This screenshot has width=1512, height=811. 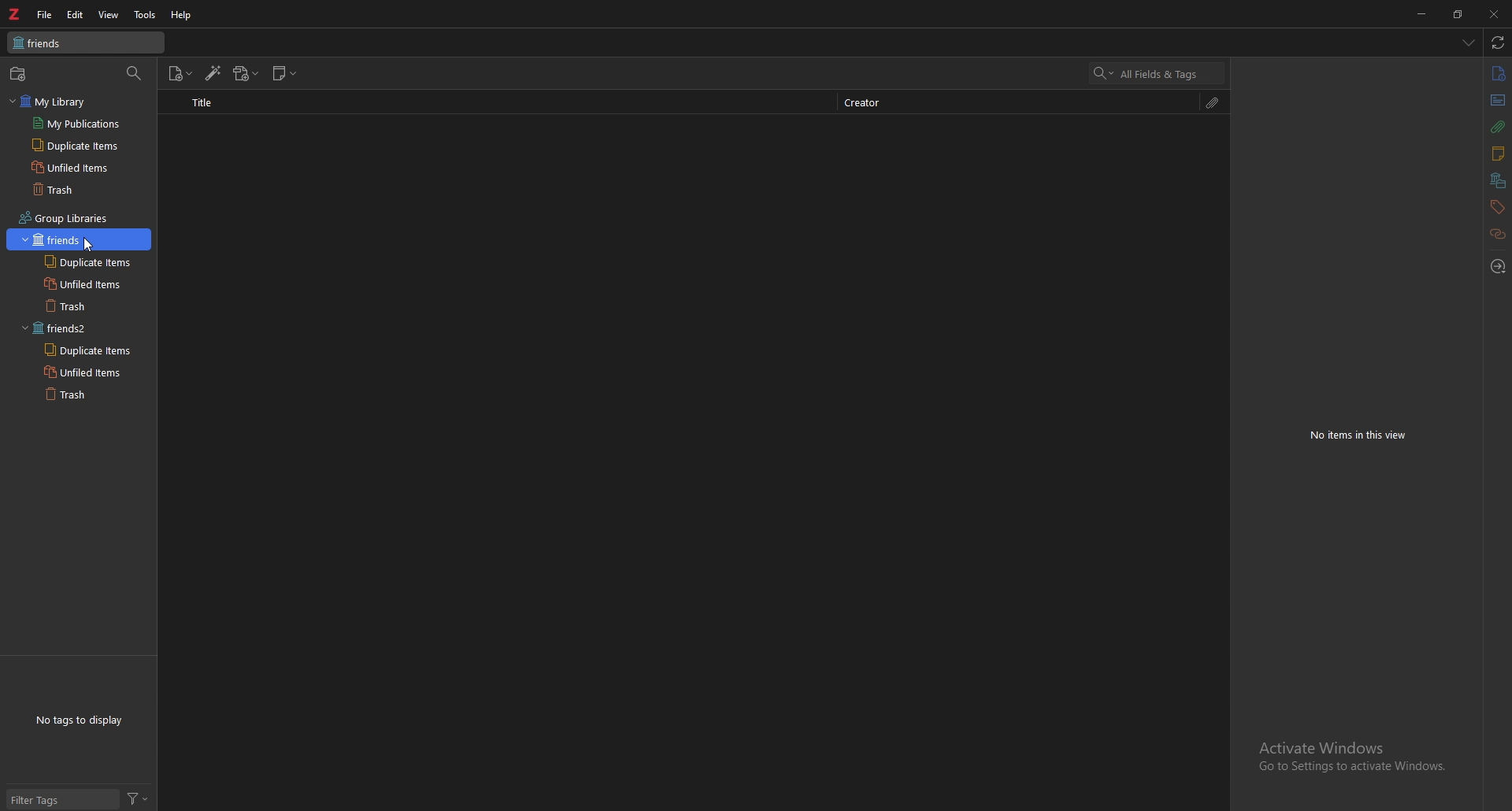 What do you see at coordinates (91, 305) in the screenshot?
I see `trash` at bounding box center [91, 305].